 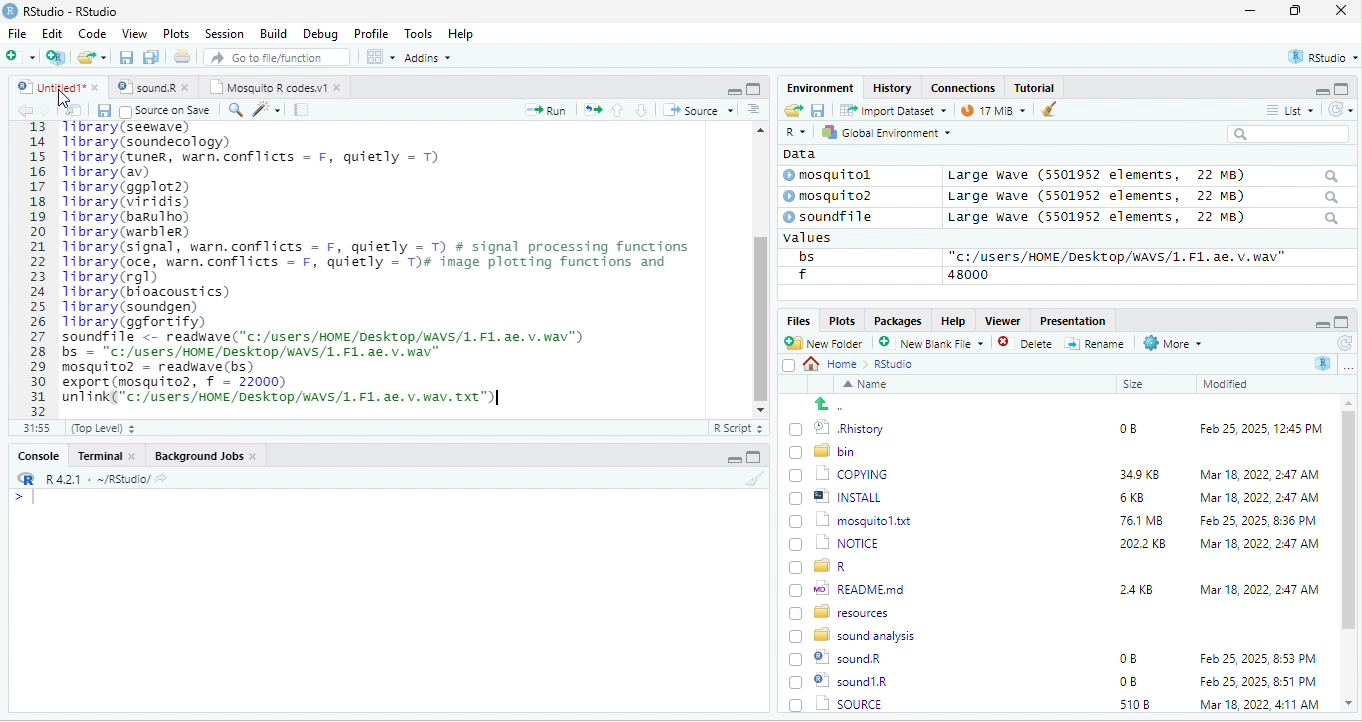 I want to click on © mosquitol, so click(x=842, y=175).